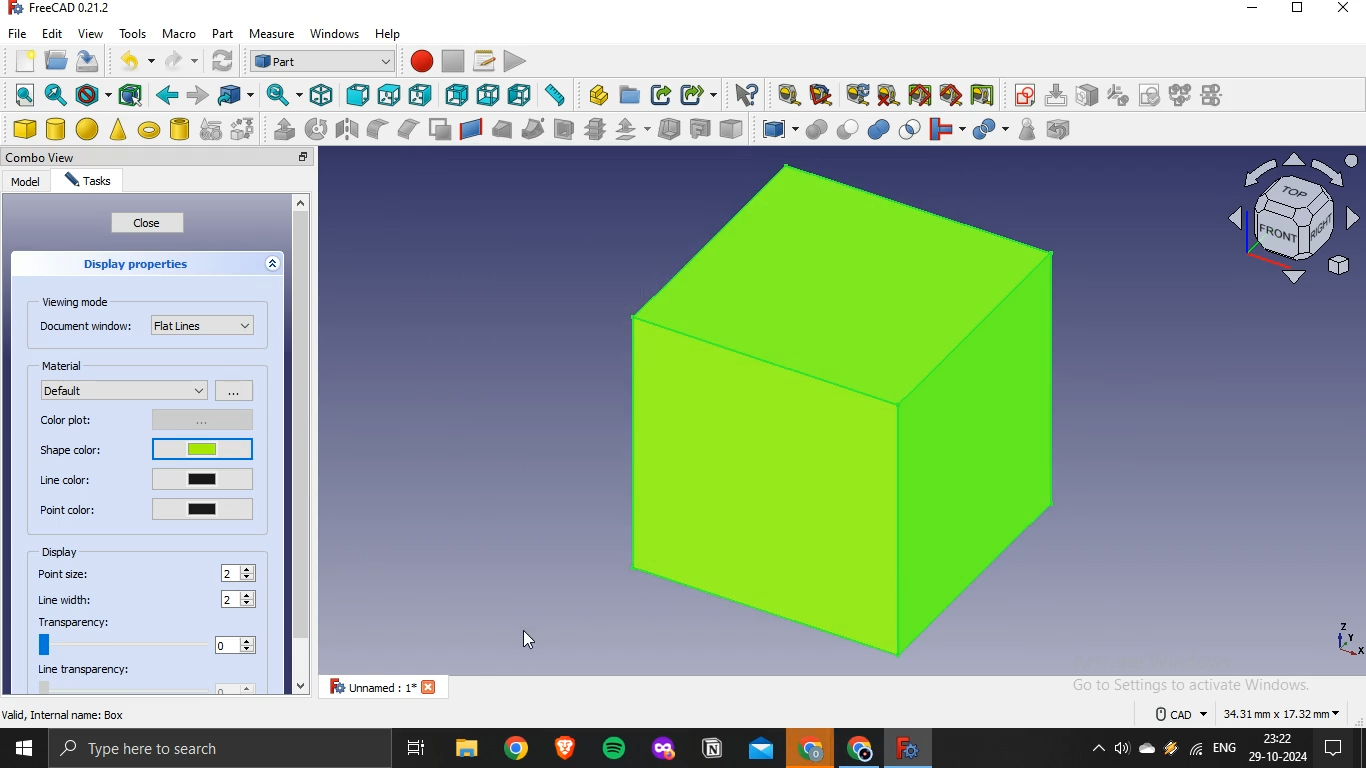  What do you see at coordinates (389, 686) in the screenshot?
I see `unnamed` at bounding box center [389, 686].